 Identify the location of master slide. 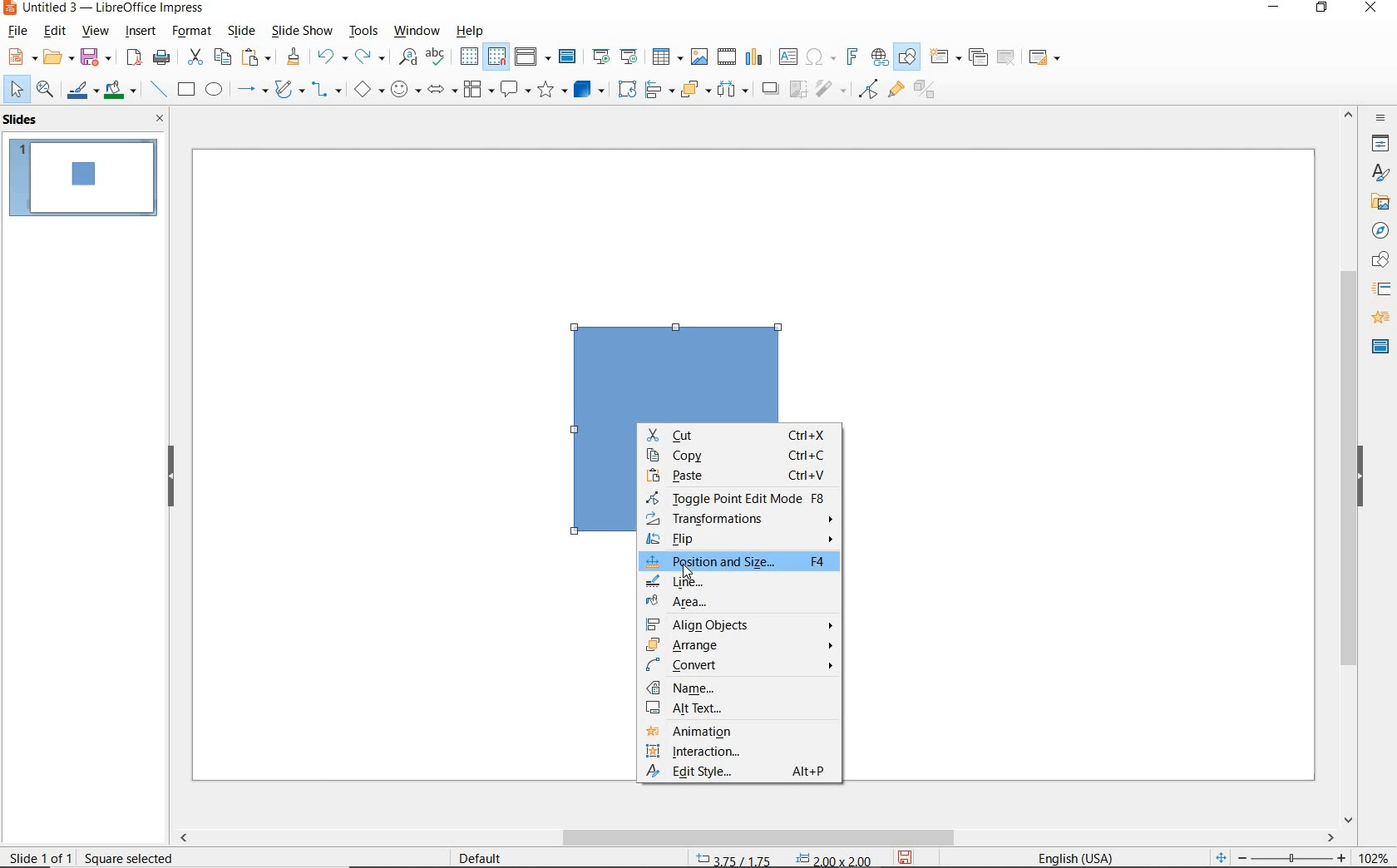
(571, 56).